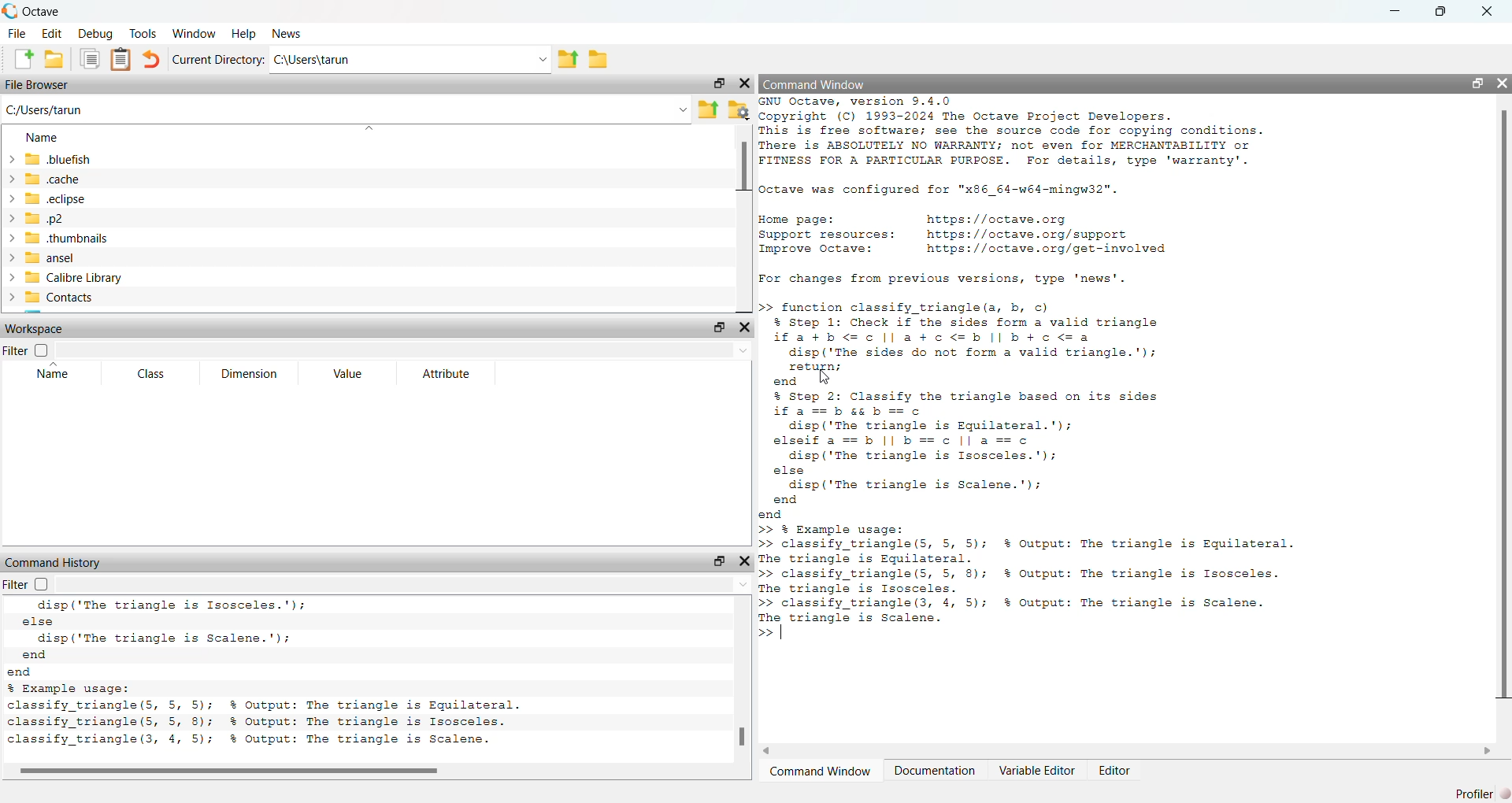  I want to click on cursor, so click(821, 376).